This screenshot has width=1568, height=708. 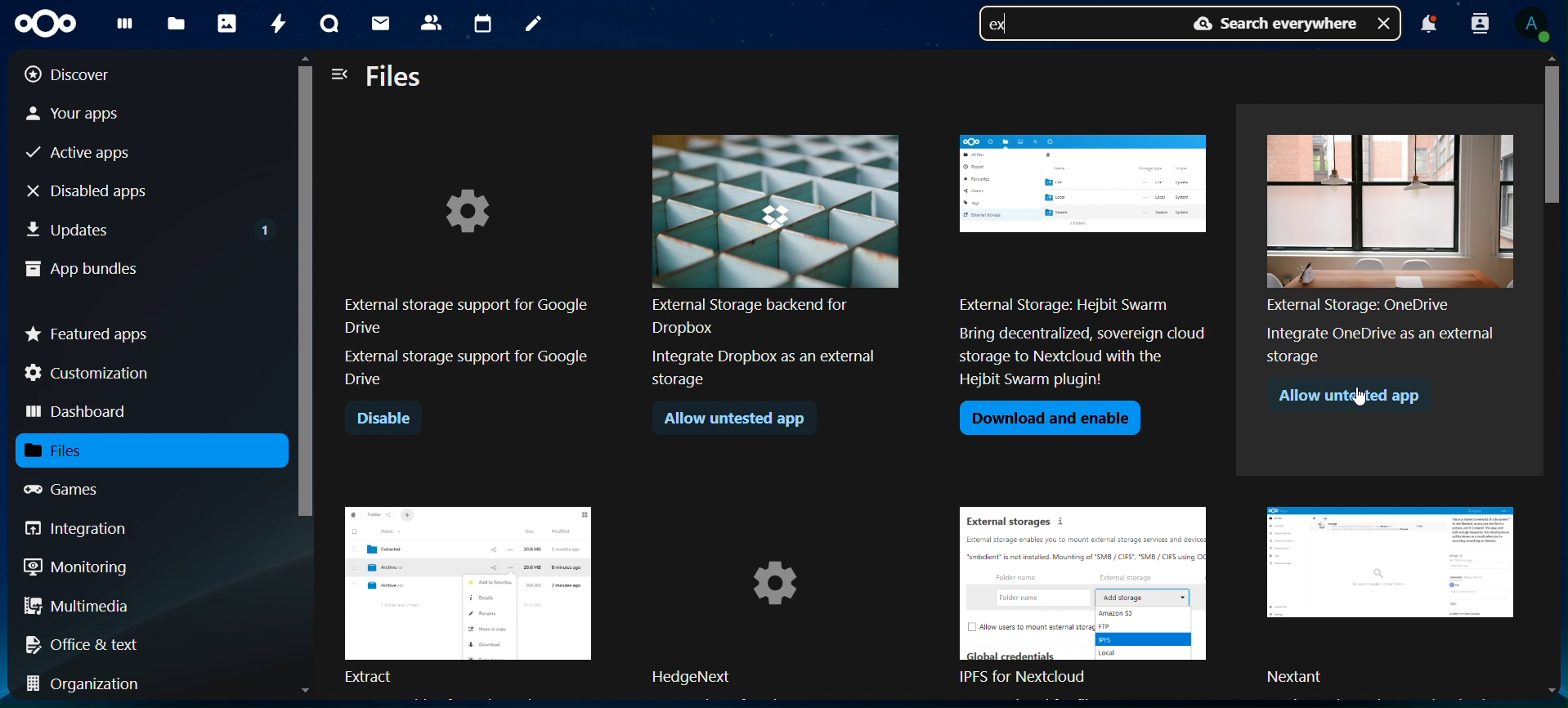 What do you see at coordinates (773, 260) in the screenshot?
I see `File access control Control access to files based onconditions[Featured |` at bounding box center [773, 260].